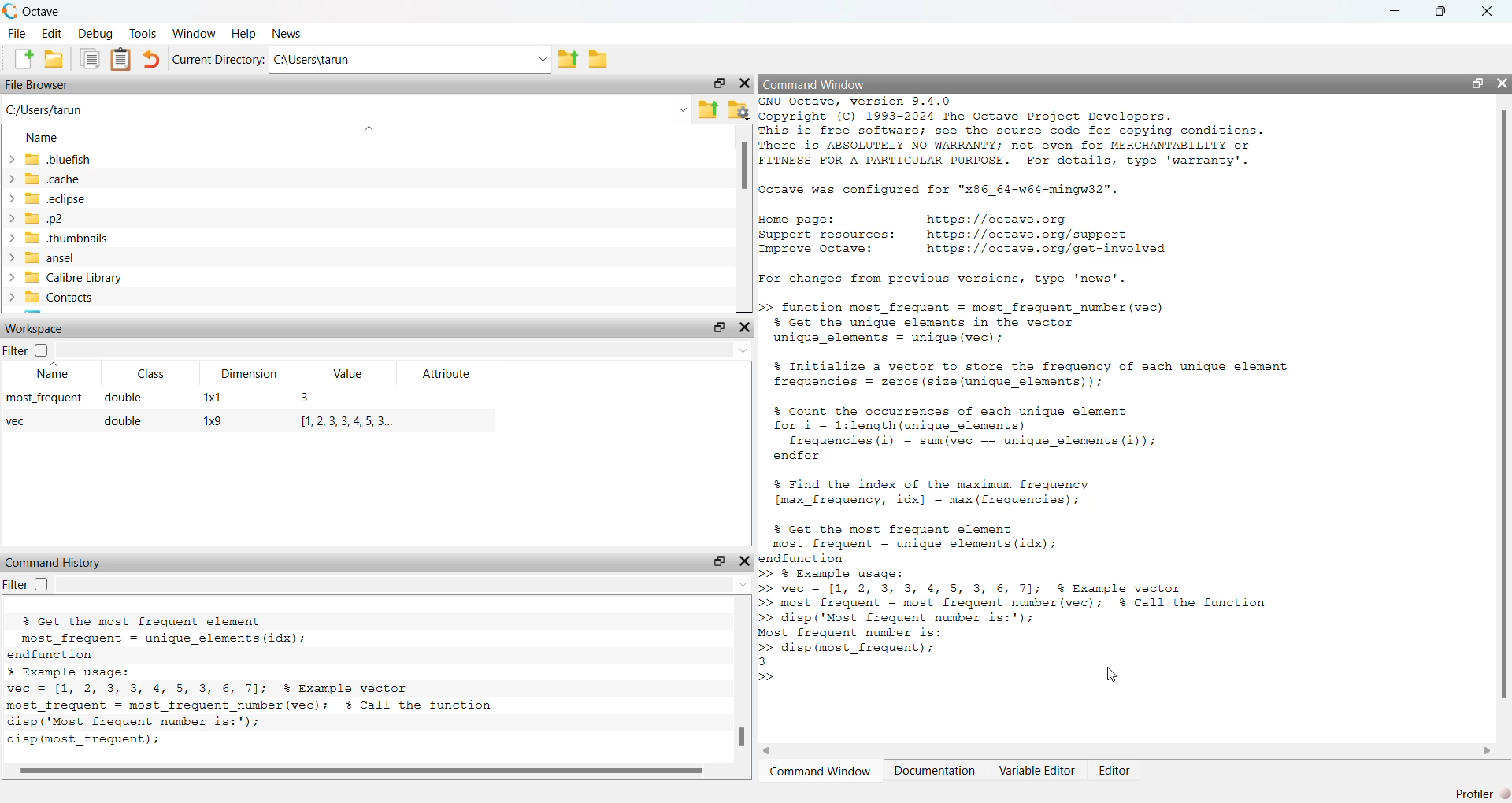 This screenshot has height=803, width=1512. What do you see at coordinates (744, 328) in the screenshot?
I see `Hide Widget` at bounding box center [744, 328].